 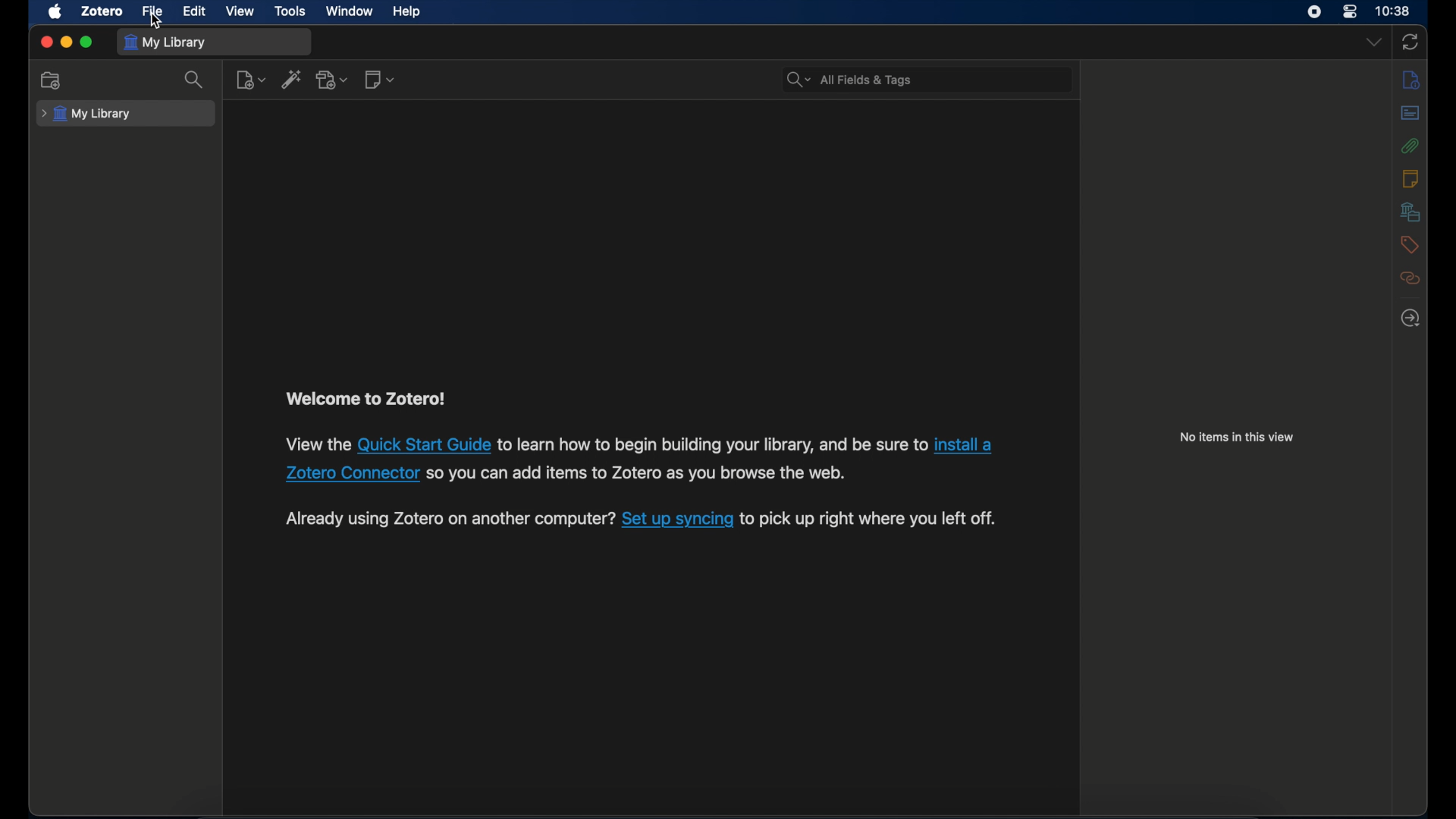 What do you see at coordinates (315, 443) in the screenshot?
I see `view the` at bounding box center [315, 443].